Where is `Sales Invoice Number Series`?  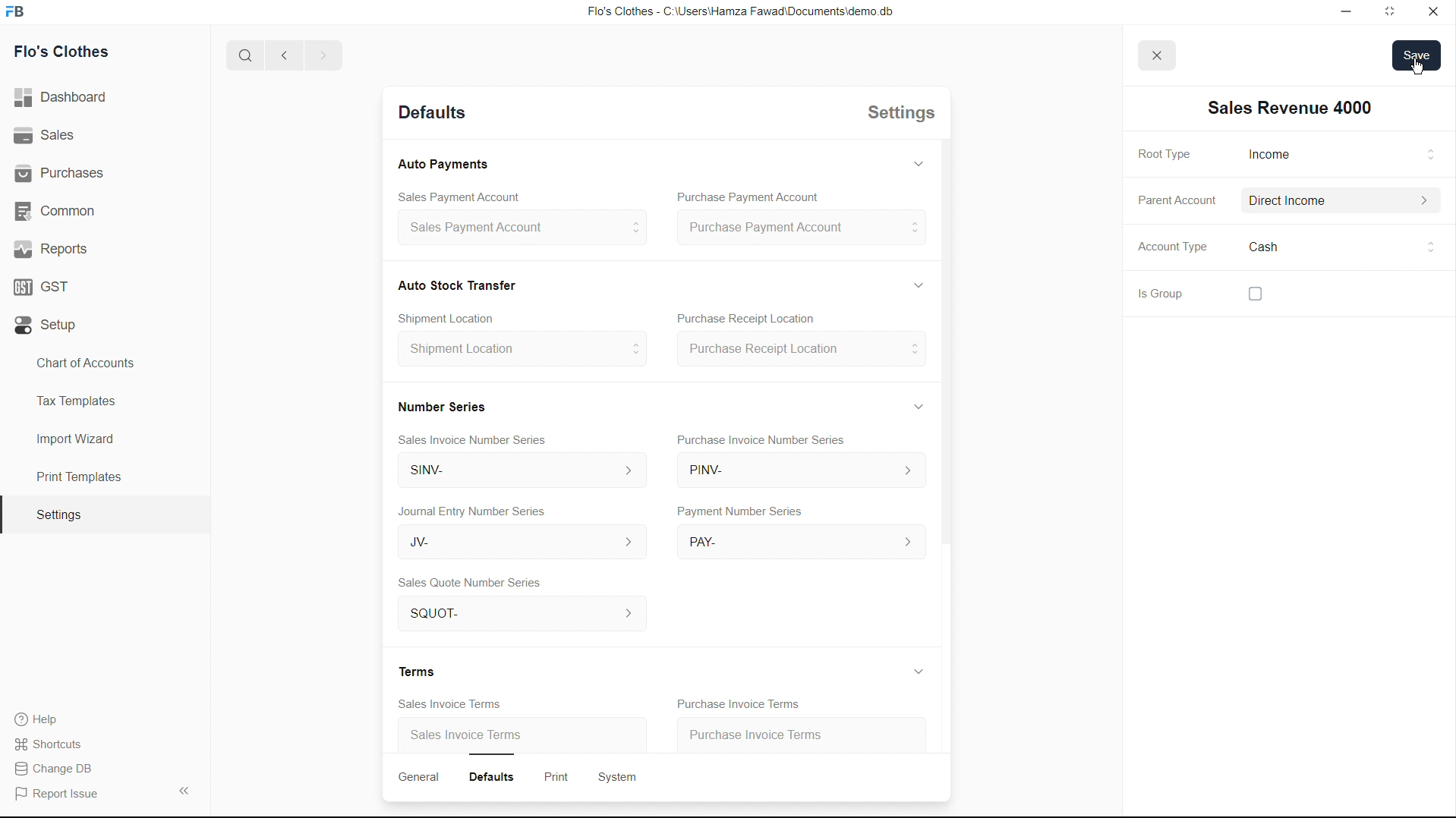 Sales Invoice Number Series is located at coordinates (478, 437).